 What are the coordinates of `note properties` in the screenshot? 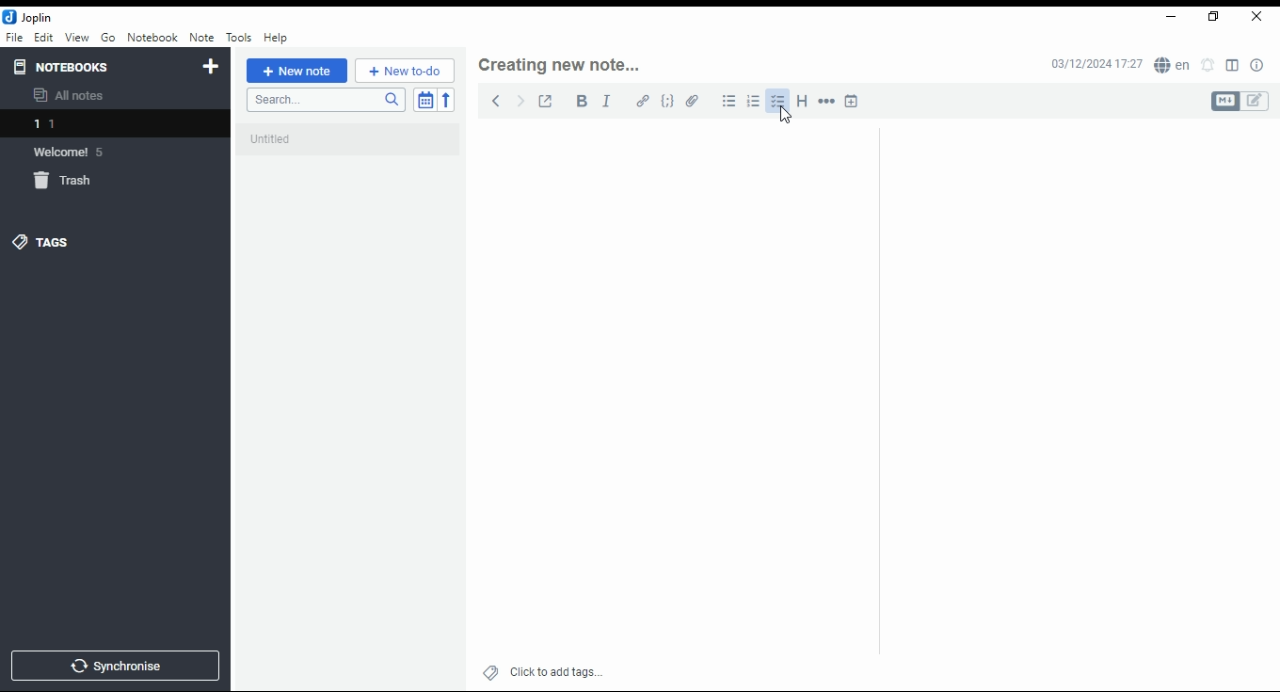 It's located at (1257, 65).